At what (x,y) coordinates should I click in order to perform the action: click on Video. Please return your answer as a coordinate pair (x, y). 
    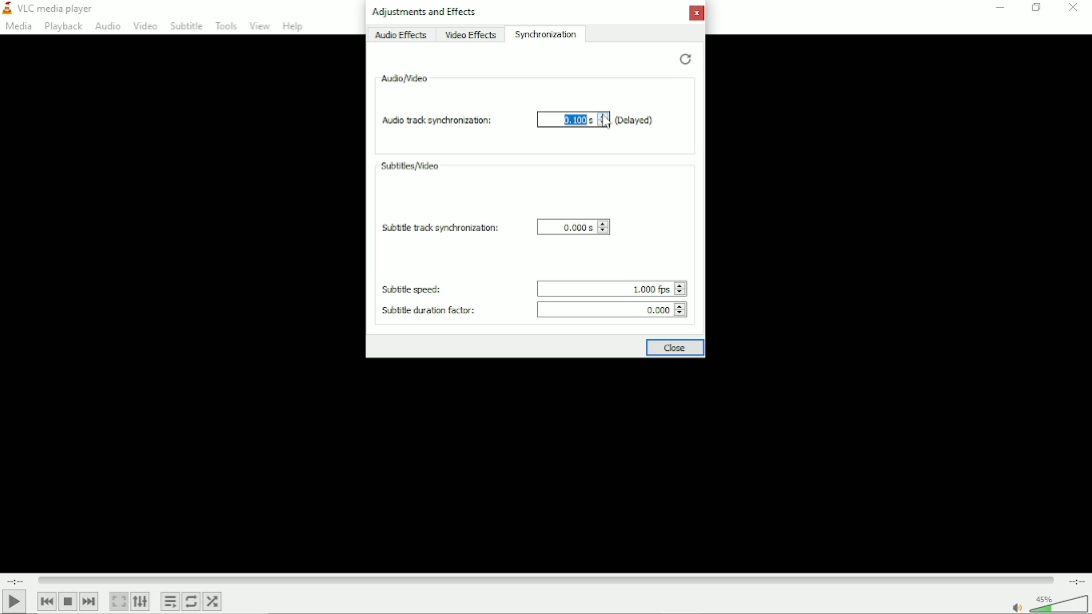
    Looking at the image, I should click on (145, 25).